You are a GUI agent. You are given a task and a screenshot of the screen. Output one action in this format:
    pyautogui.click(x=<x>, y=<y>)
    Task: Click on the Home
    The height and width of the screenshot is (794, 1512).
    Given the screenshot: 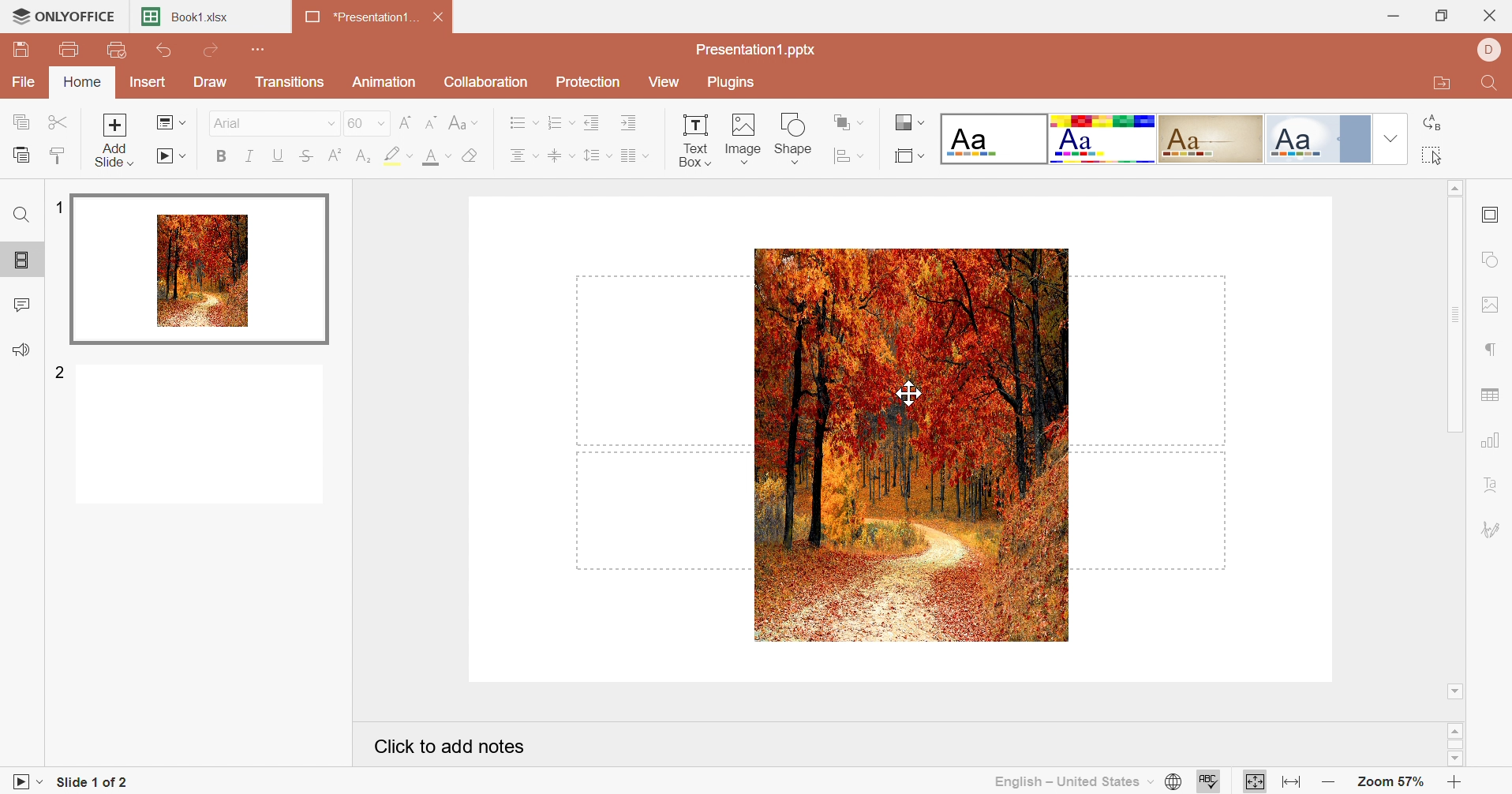 What is the action you would take?
    pyautogui.click(x=83, y=83)
    